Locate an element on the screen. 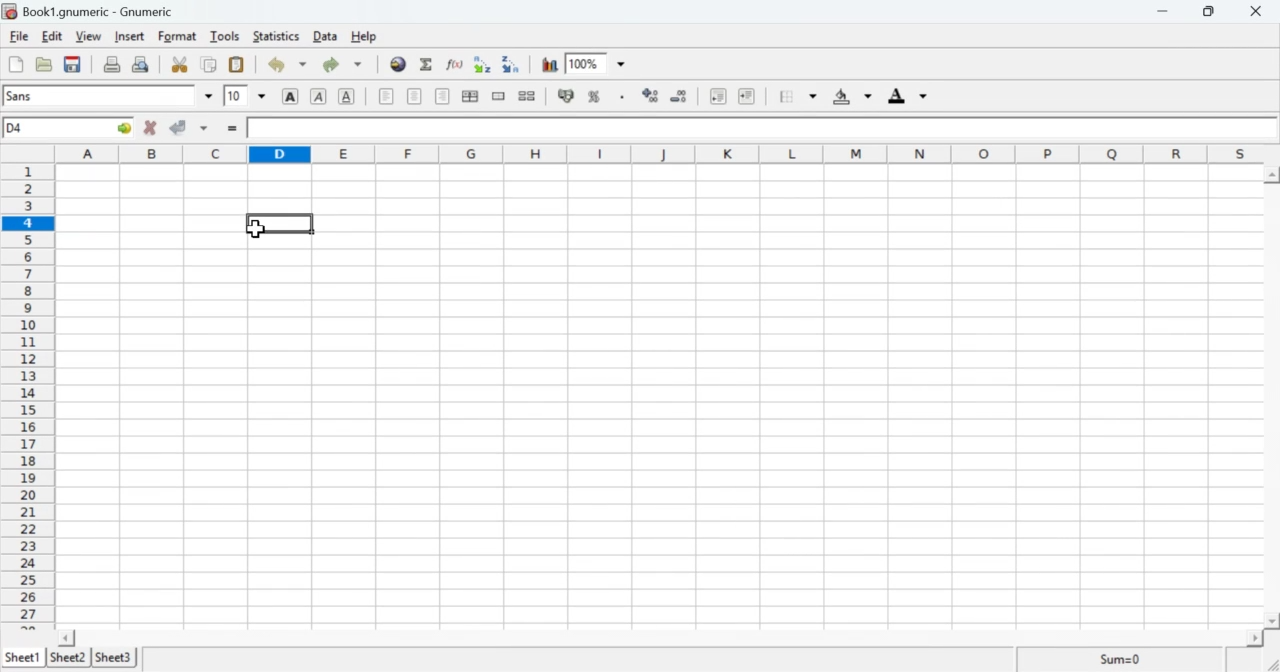 The width and height of the screenshot is (1280, 672). Insert is located at coordinates (130, 36).